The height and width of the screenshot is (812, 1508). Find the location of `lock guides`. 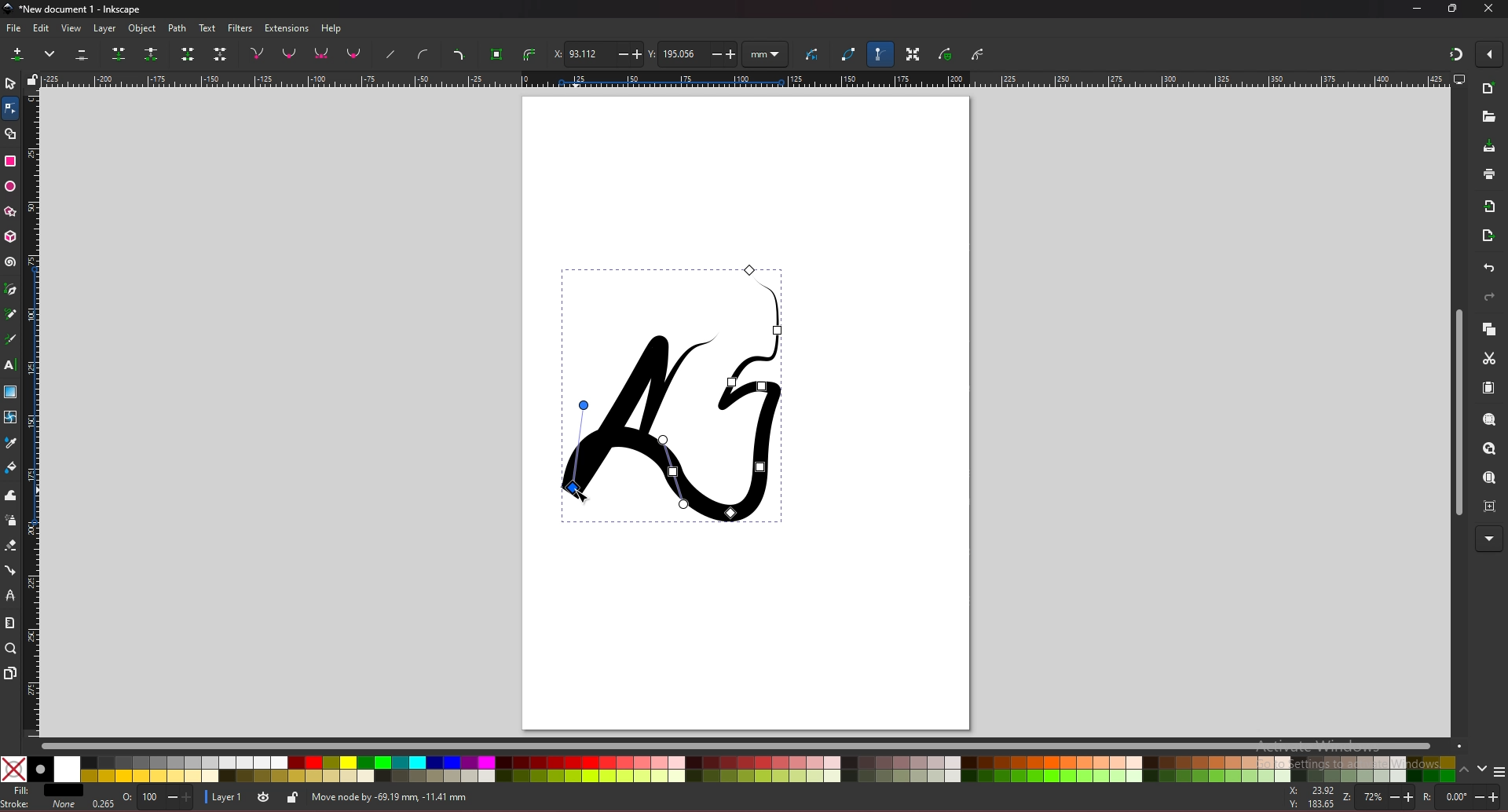

lock guides is located at coordinates (32, 79).